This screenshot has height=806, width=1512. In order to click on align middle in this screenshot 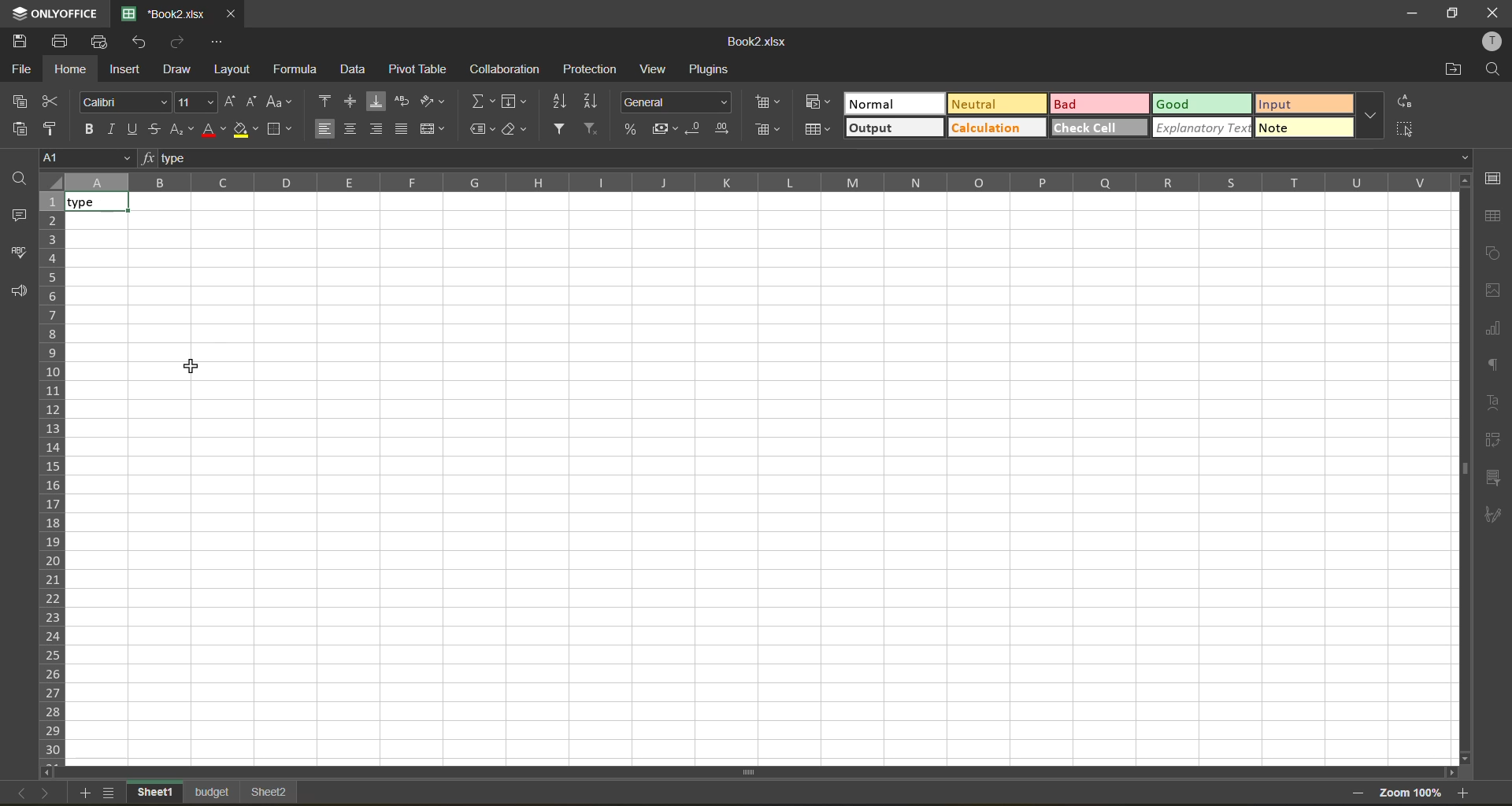, I will do `click(354, 100)`.